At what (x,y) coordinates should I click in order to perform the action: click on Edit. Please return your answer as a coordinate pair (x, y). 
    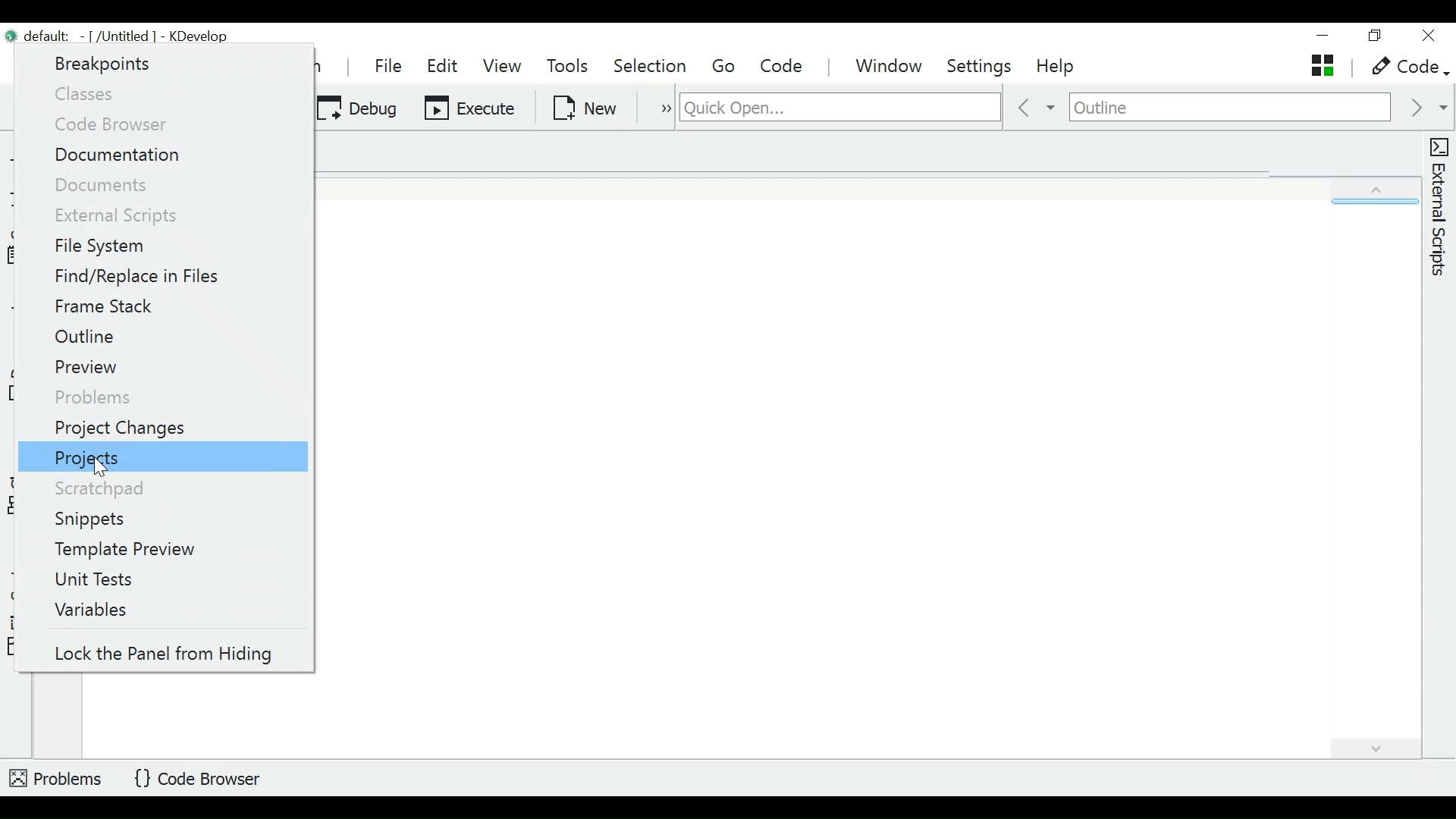
    Looking at the image, I should click on (442, 65).